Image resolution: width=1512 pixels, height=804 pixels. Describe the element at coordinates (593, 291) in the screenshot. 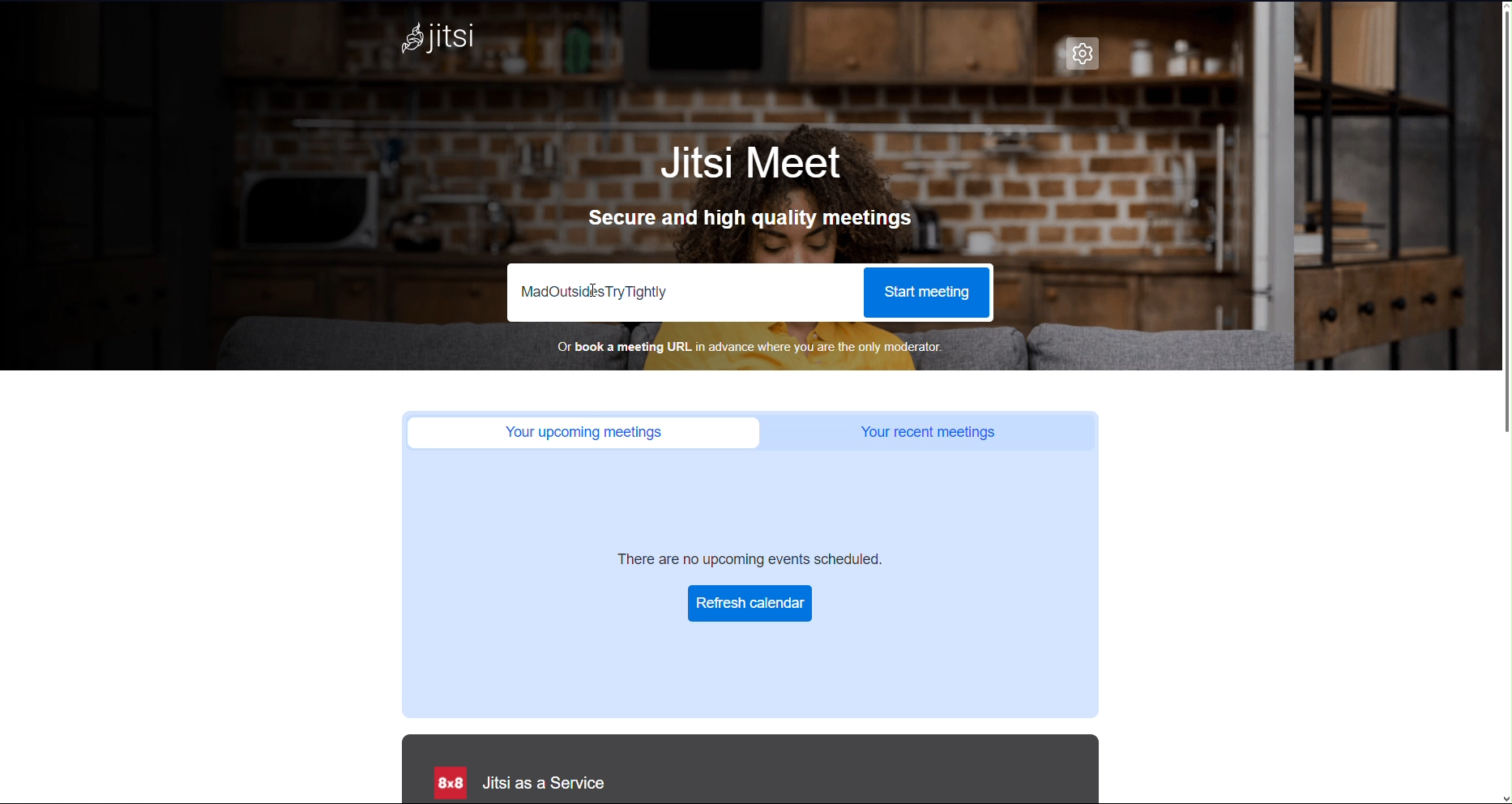

I see `Cursor` at that location.